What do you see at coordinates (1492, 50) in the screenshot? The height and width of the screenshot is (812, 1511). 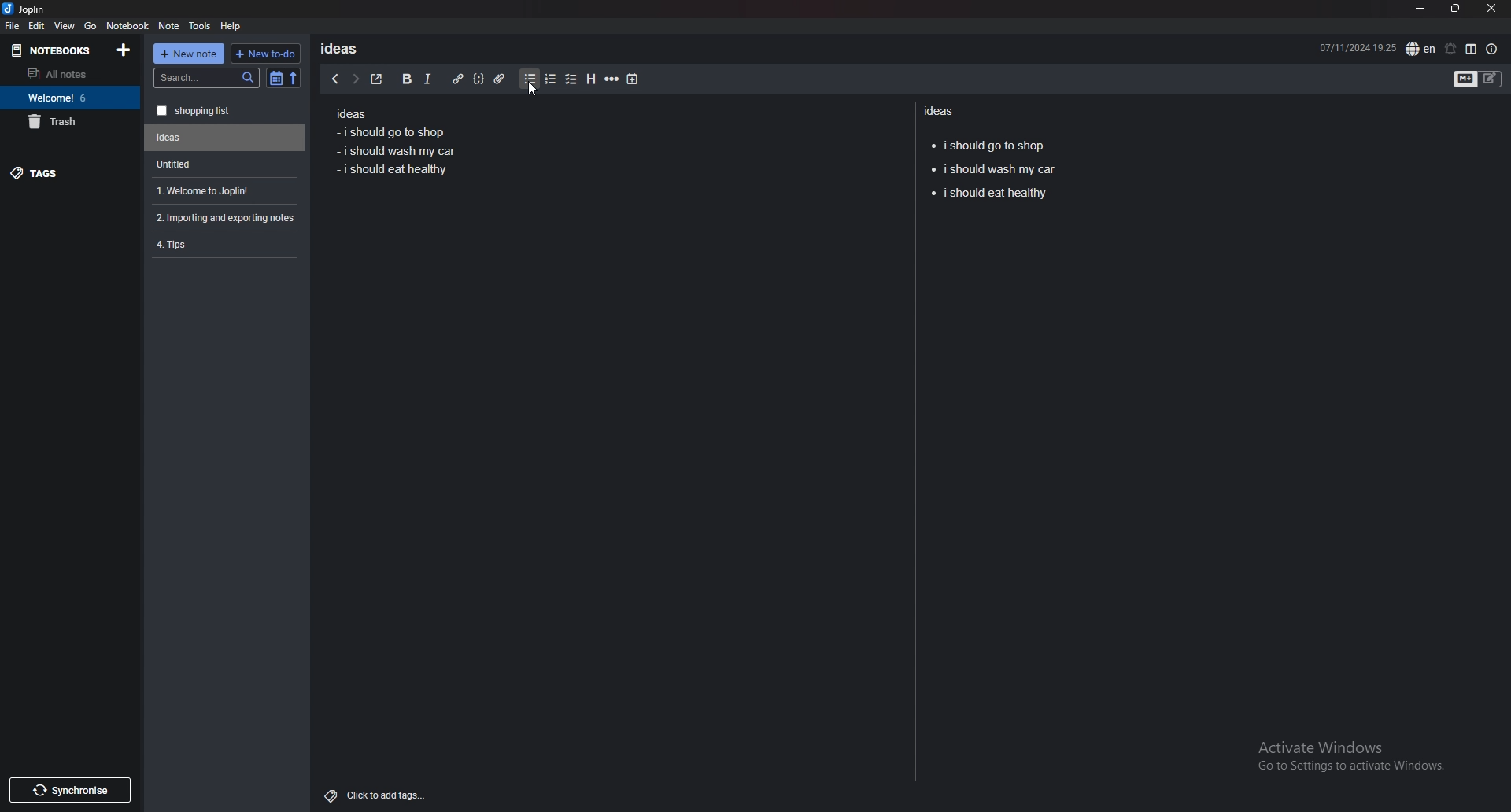 I see `note properties` at bounding box center [1492, 50].